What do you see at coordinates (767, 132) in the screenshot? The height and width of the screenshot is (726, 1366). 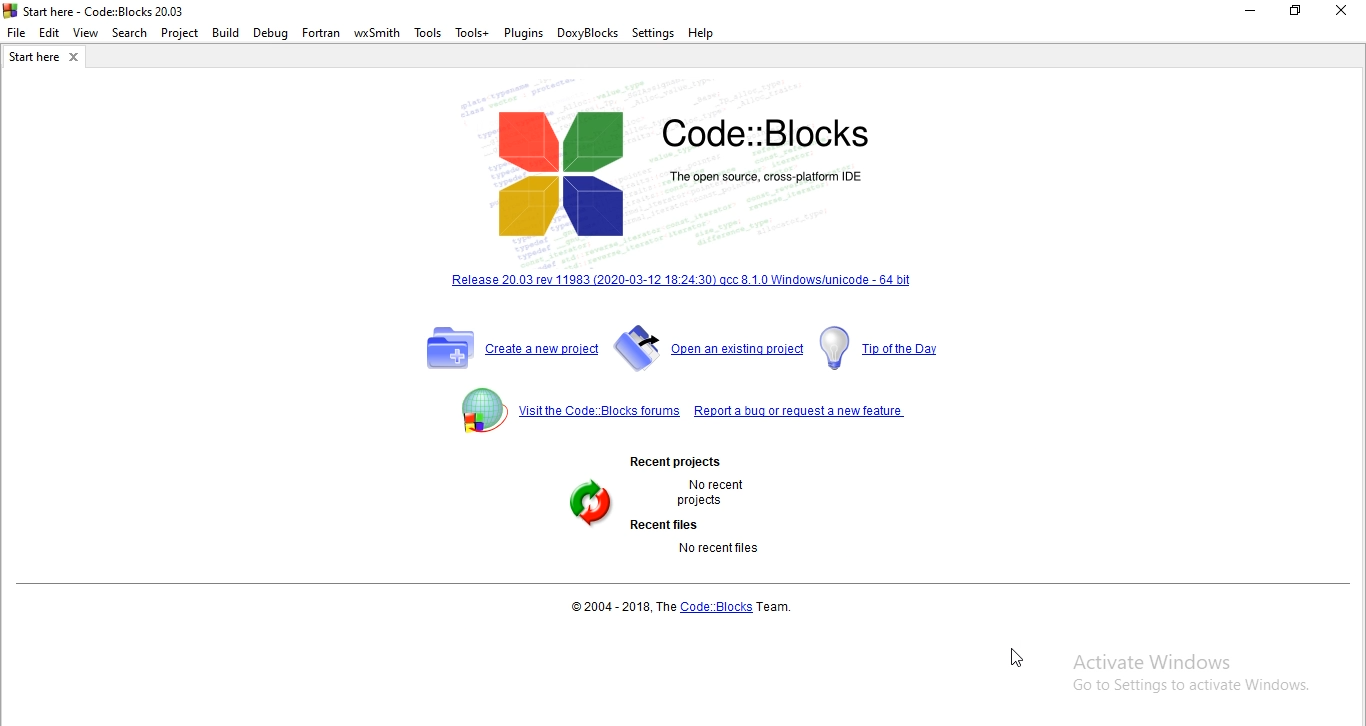 I see ` Code::Blocks` at bounding box center [767, 132].